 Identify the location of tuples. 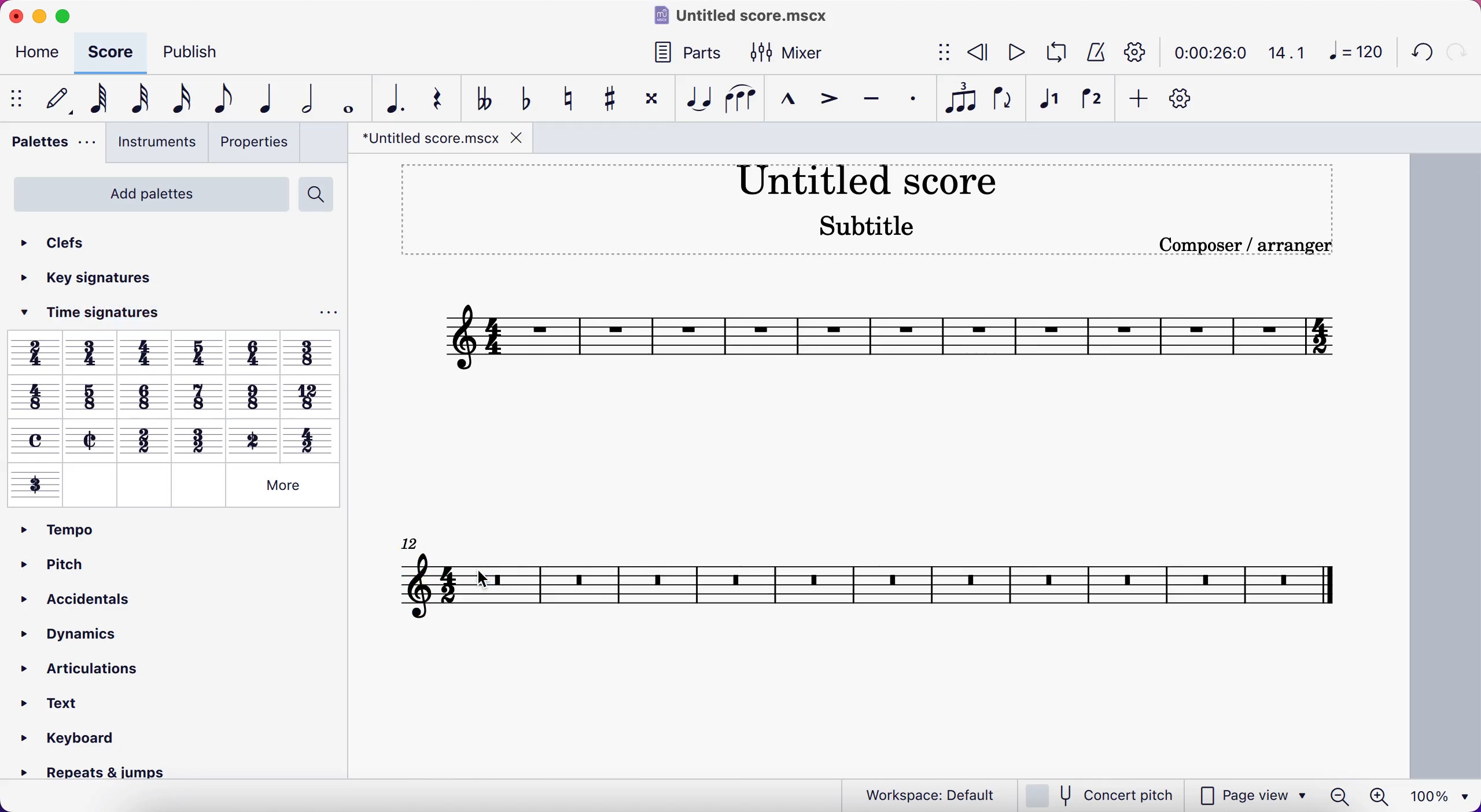
(957, 99).